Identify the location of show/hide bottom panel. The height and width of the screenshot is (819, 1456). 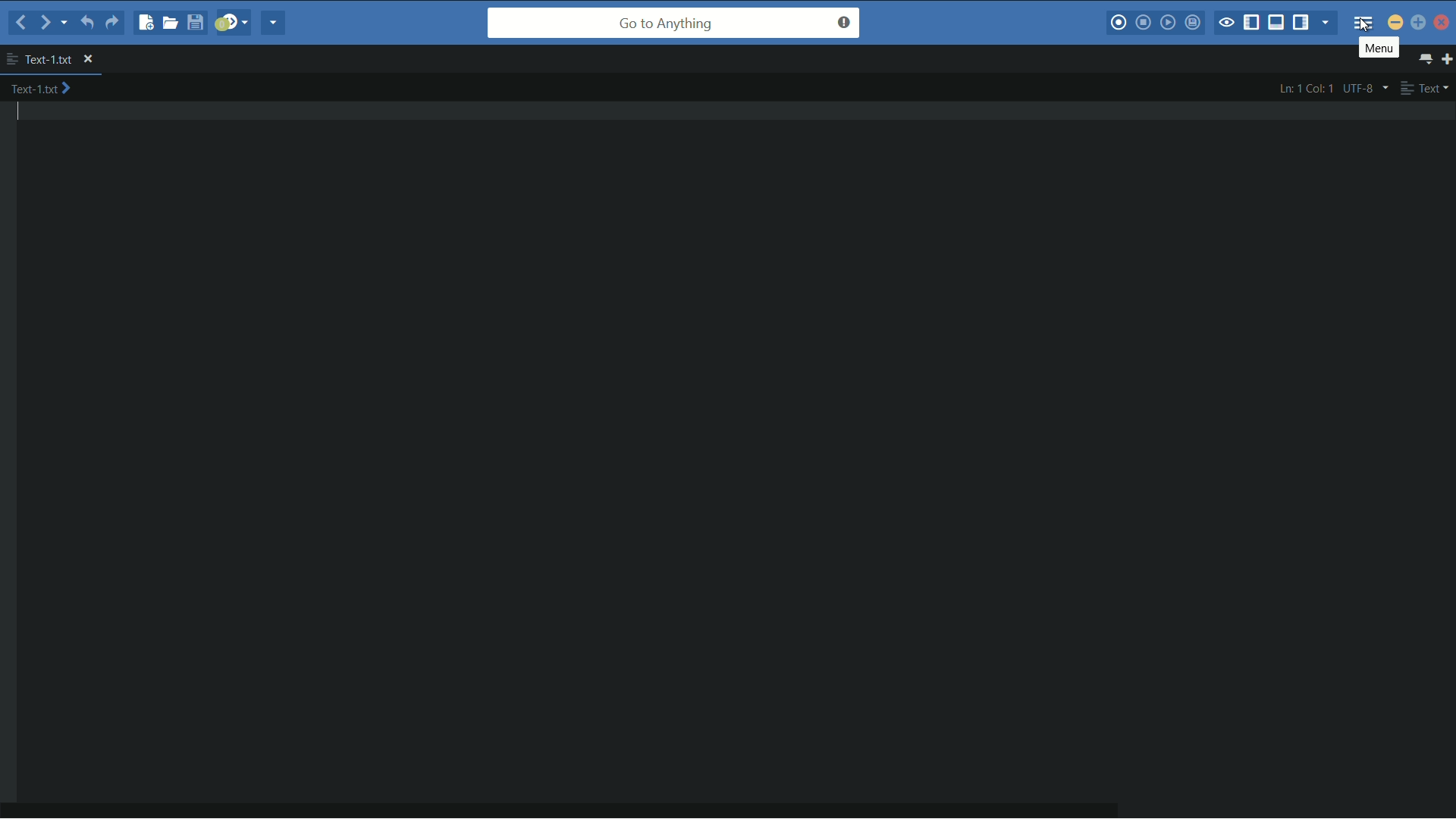
(1276, 24).